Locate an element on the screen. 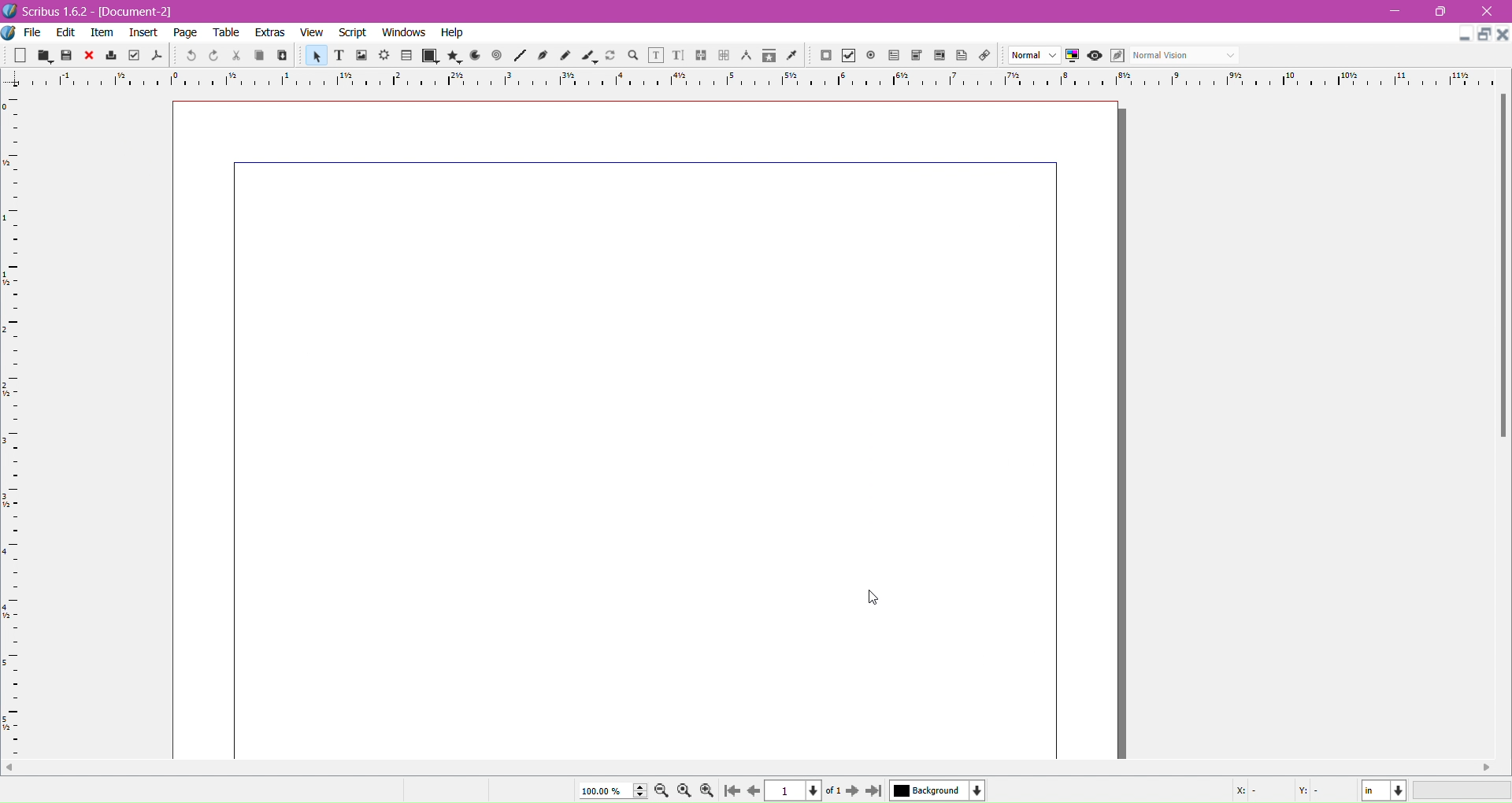 The height and width of the screenshot is (803, 1512). Table is located at coordinates (225, 33).